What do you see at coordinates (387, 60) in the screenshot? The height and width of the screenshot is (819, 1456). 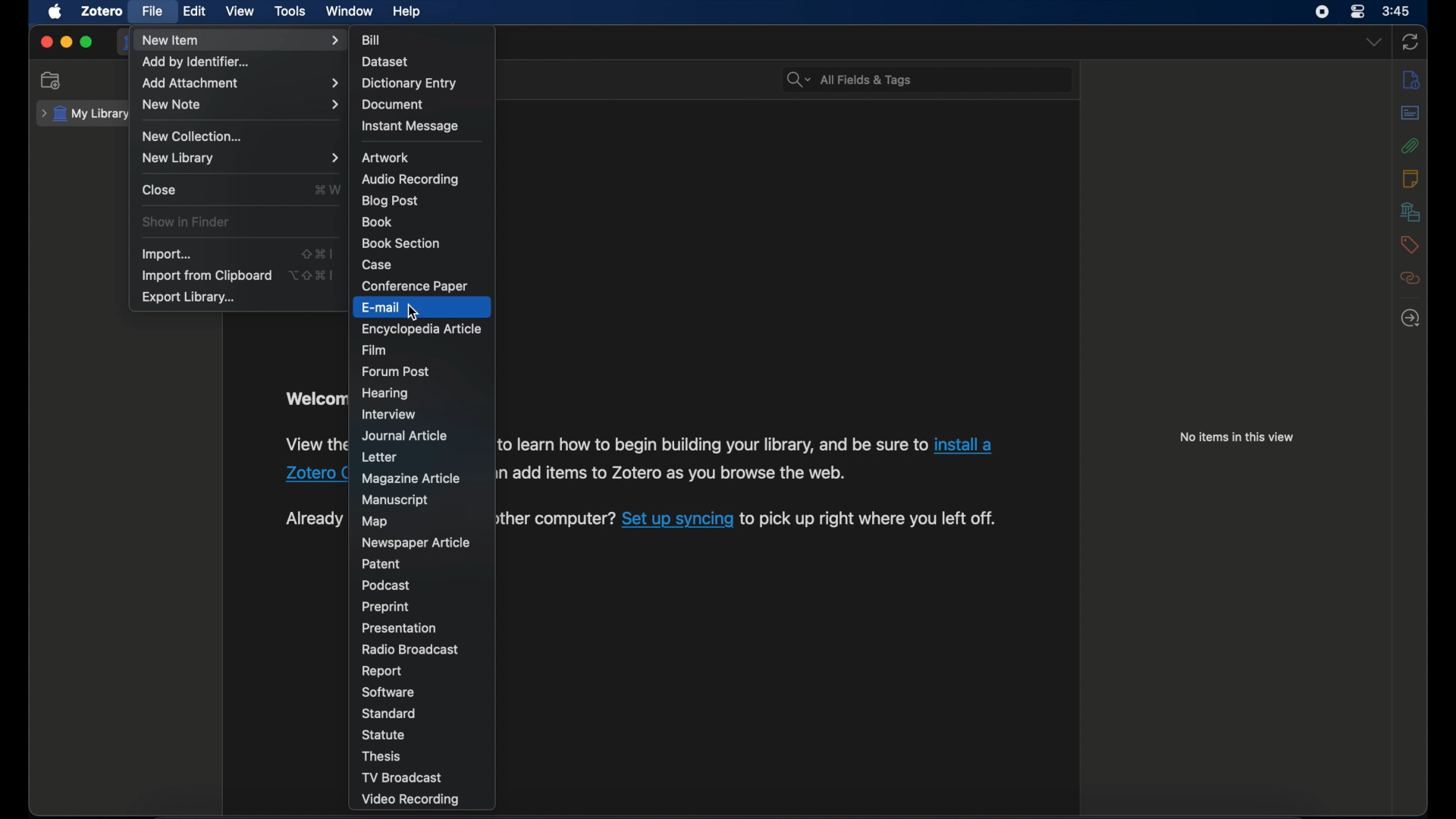 I see `dataset` at bounding box center [387, 60].